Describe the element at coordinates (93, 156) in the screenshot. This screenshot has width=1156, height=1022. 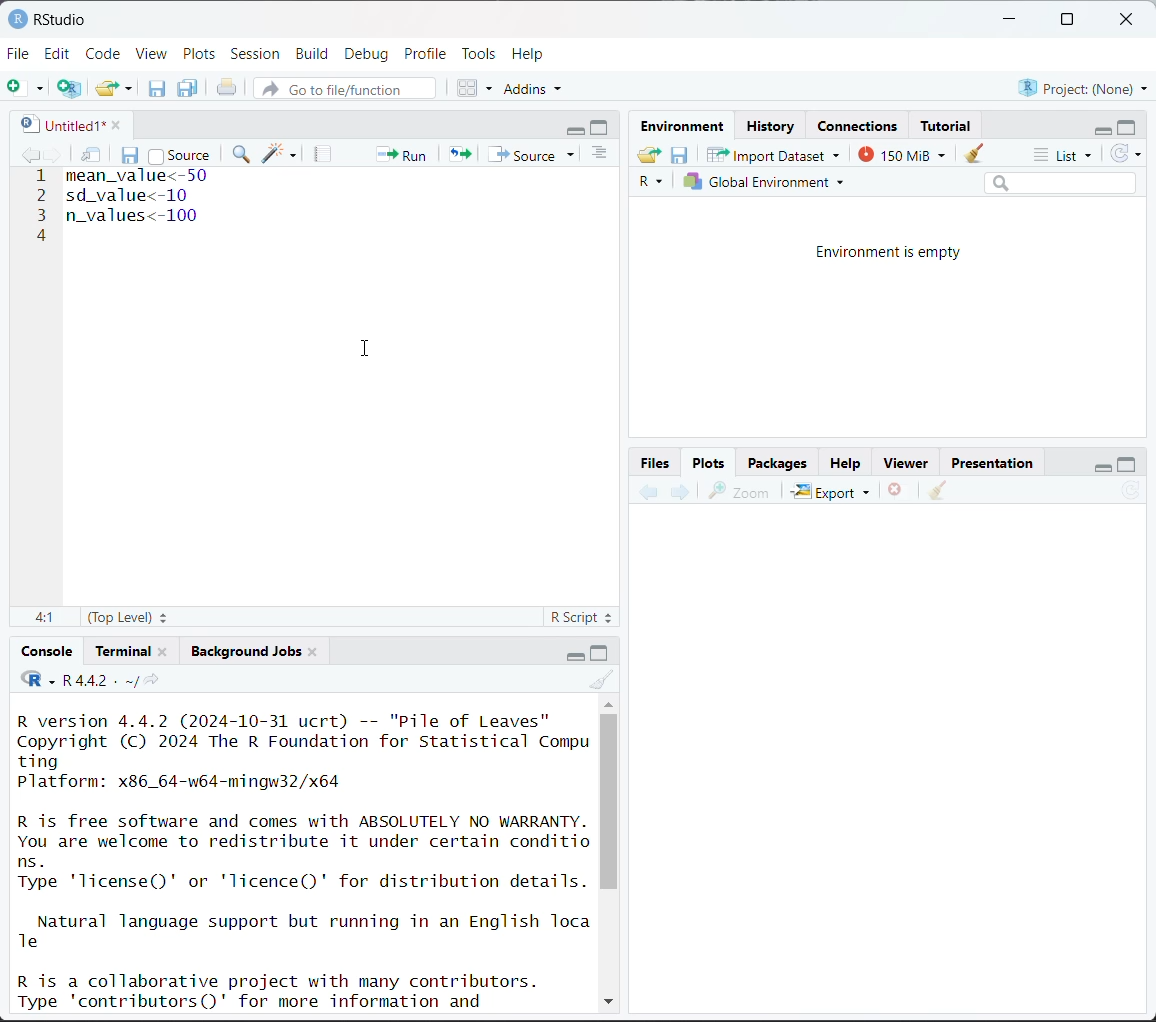
I see `show in new window` at that location.